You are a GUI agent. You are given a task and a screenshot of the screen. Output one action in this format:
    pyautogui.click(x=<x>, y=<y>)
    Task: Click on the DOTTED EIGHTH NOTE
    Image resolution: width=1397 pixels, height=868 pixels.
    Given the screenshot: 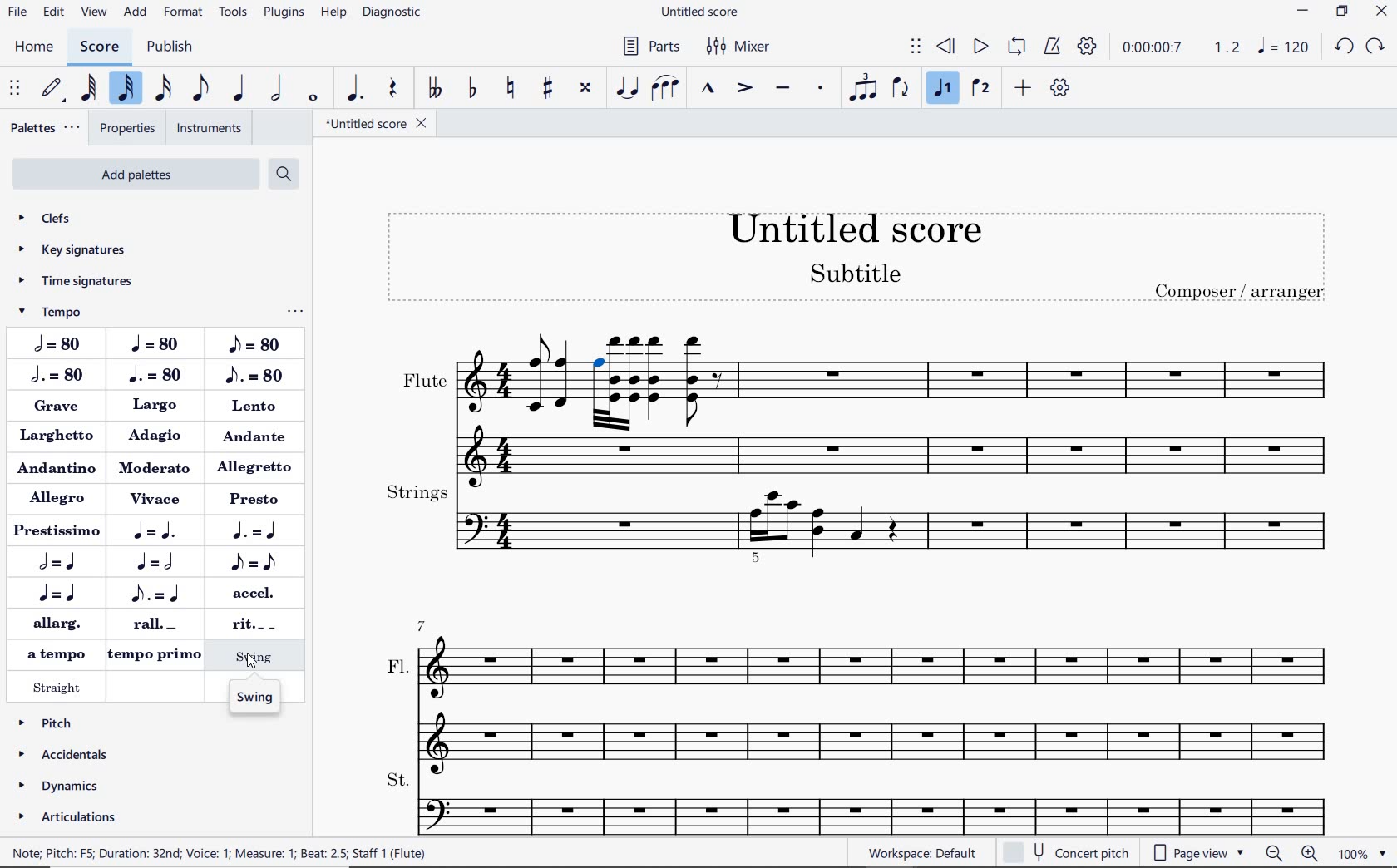 What is the action you would take?
    pyautogui.click(x=254, y=373)
    